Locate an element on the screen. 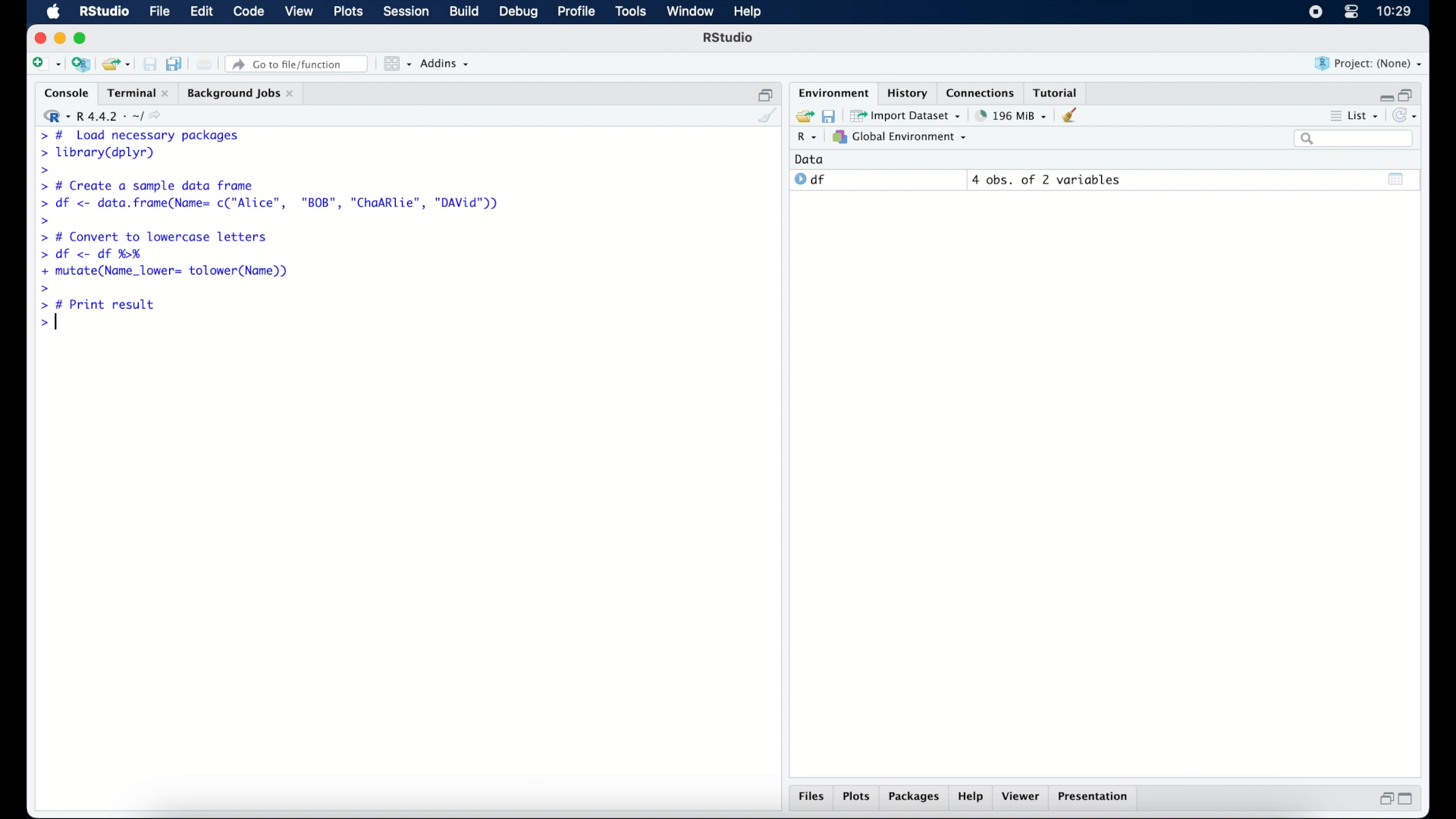 This screenshot has width=1456, height=819. R Studio is located at coordinates (730, 39).